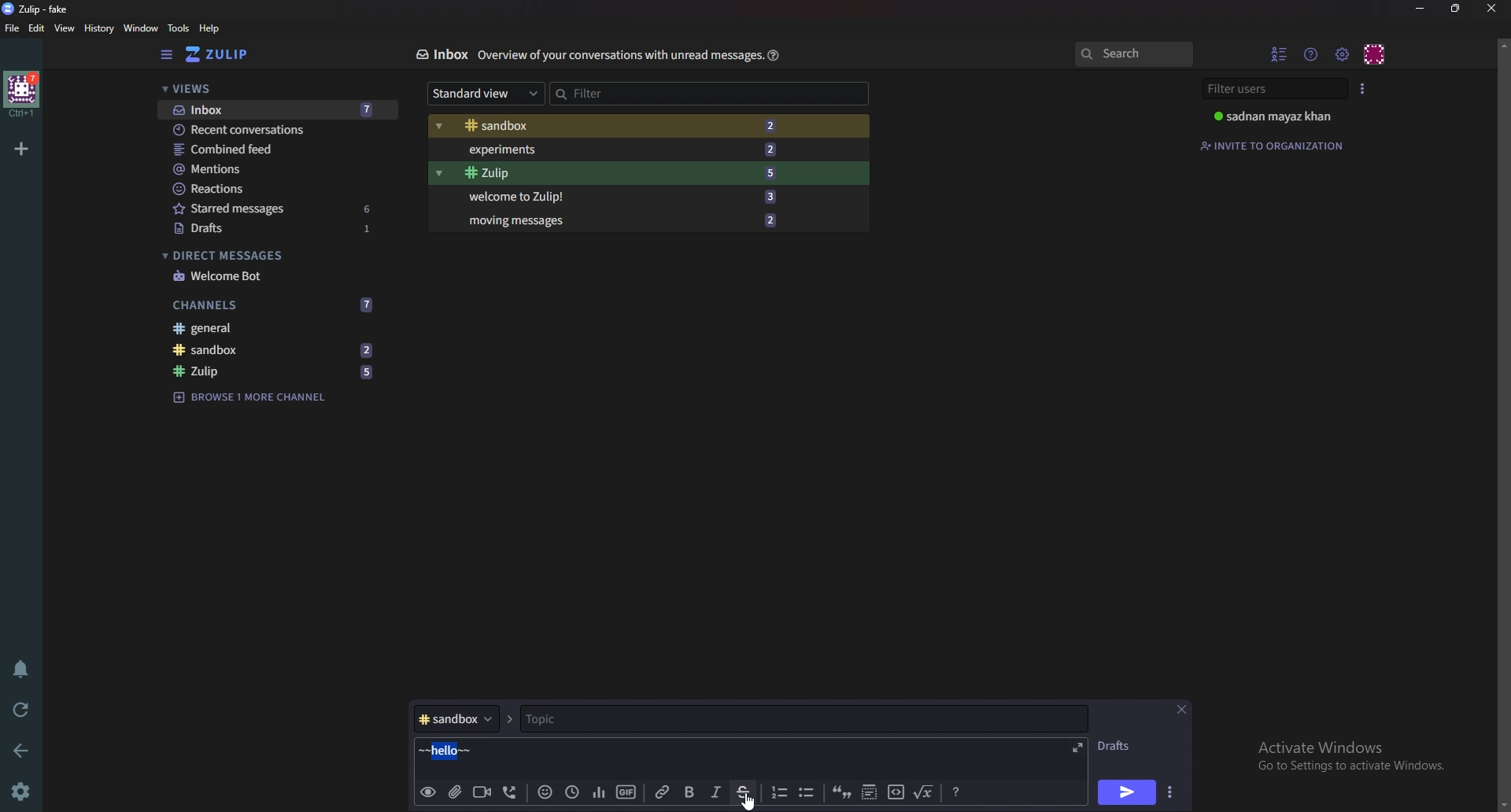 This screenshot has width=1511, height=812. Describe the element at coordinates (619, 173) in the screenshot. I see `Zulip` at that location.